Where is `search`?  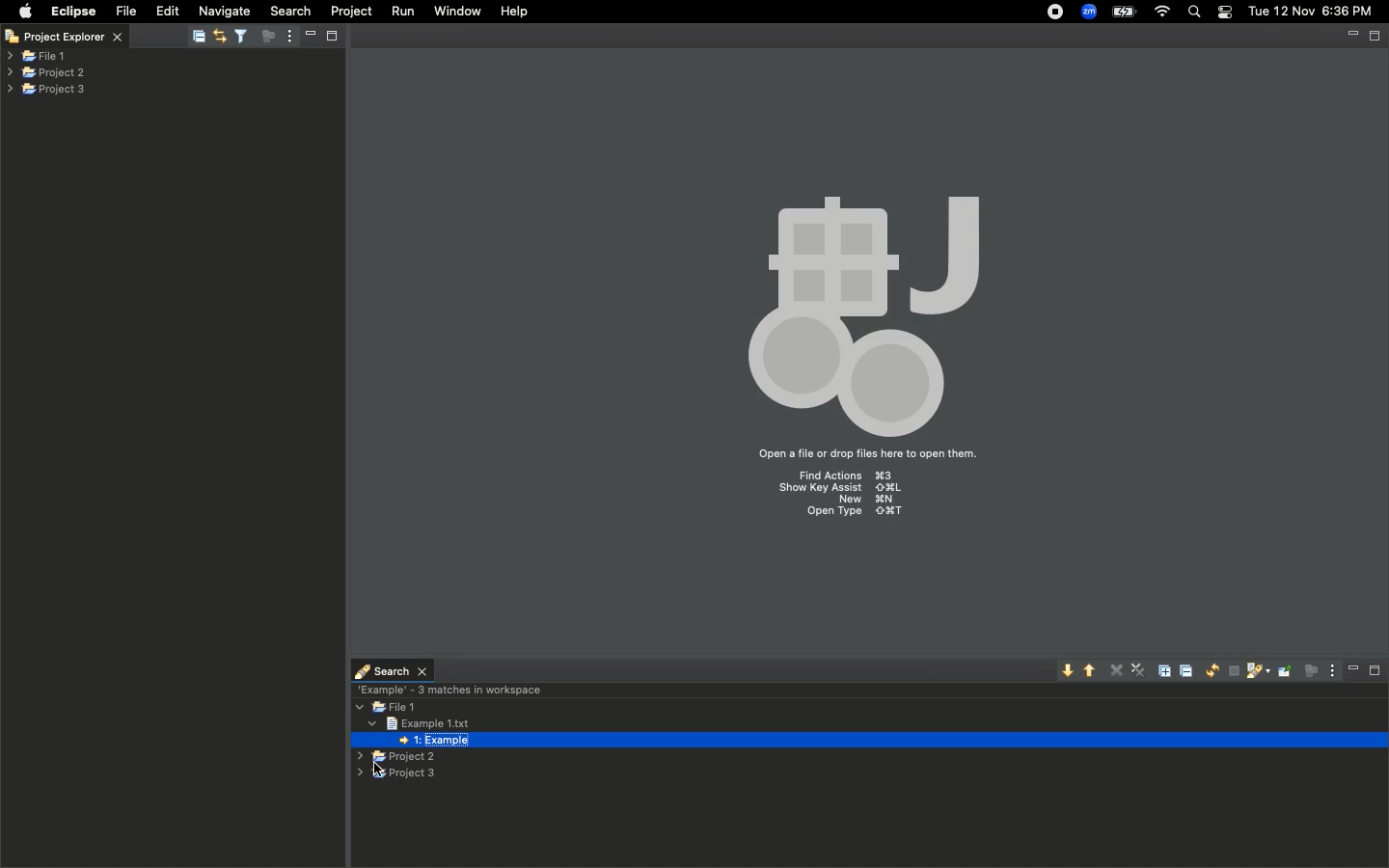
search is located at coordinates (392, 666).